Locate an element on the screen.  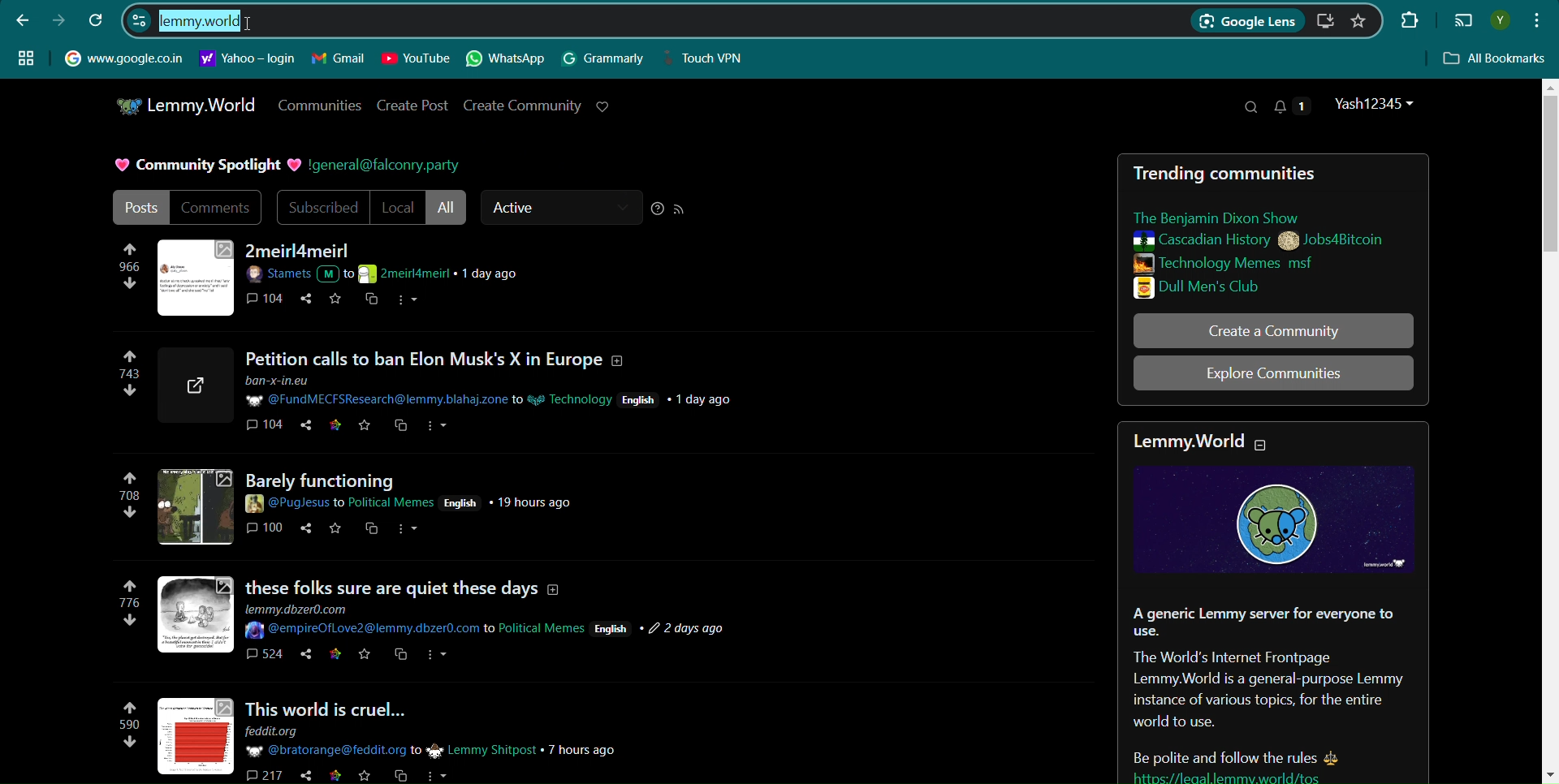
A @Puglesus to Political Memes English + 19 hours ago is located at coordinates (417, 500).